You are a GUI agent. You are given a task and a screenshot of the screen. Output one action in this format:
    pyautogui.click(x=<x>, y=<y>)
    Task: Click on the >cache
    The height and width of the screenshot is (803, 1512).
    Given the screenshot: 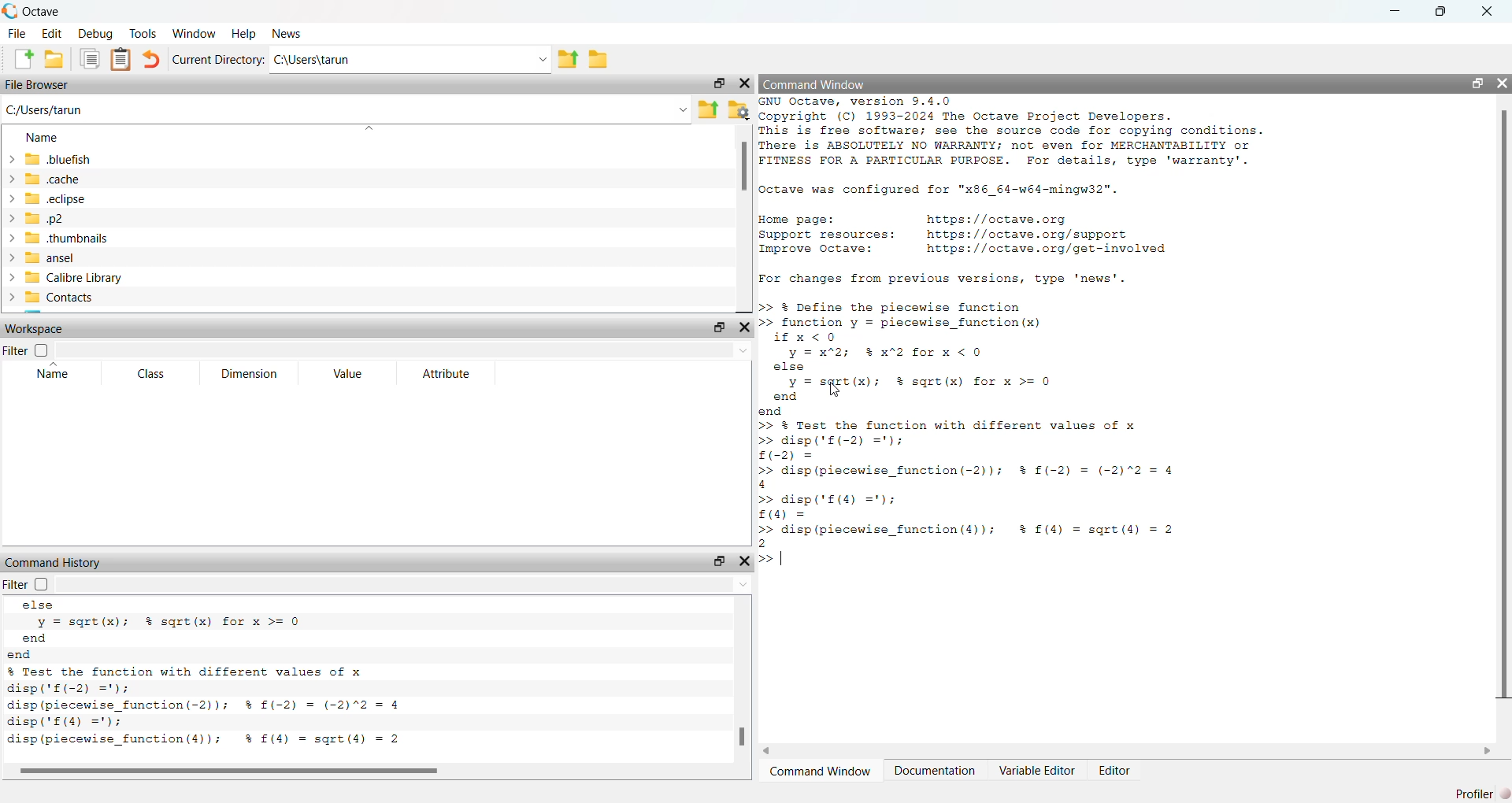 What is the action you would take?
    pyautogui.click(x=45, y=178)
    